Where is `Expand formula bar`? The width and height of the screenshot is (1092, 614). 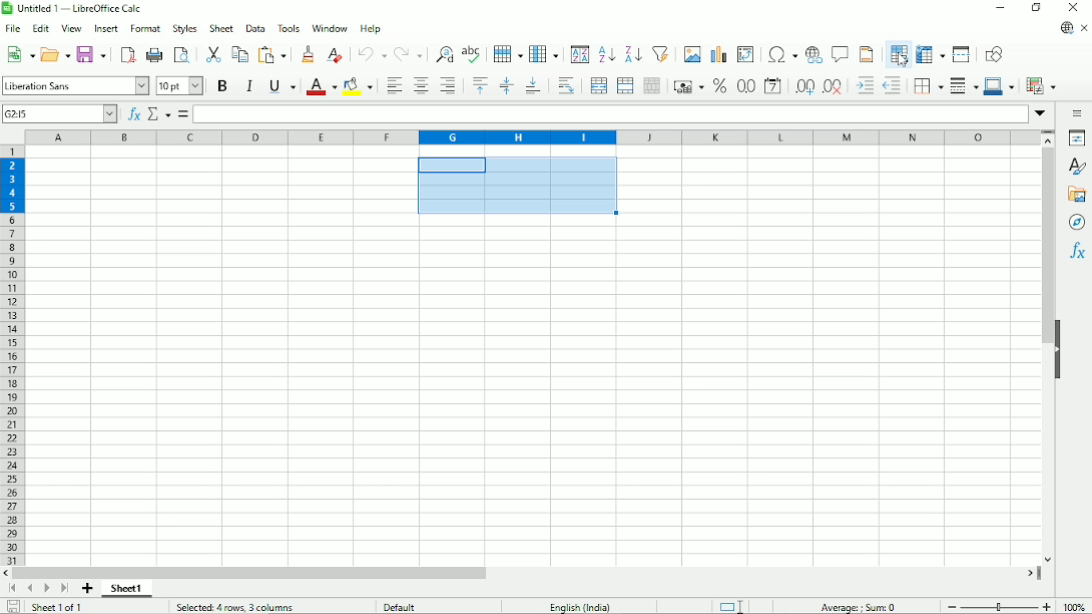
Expand formula bar is located at coordinates (1042, 114).